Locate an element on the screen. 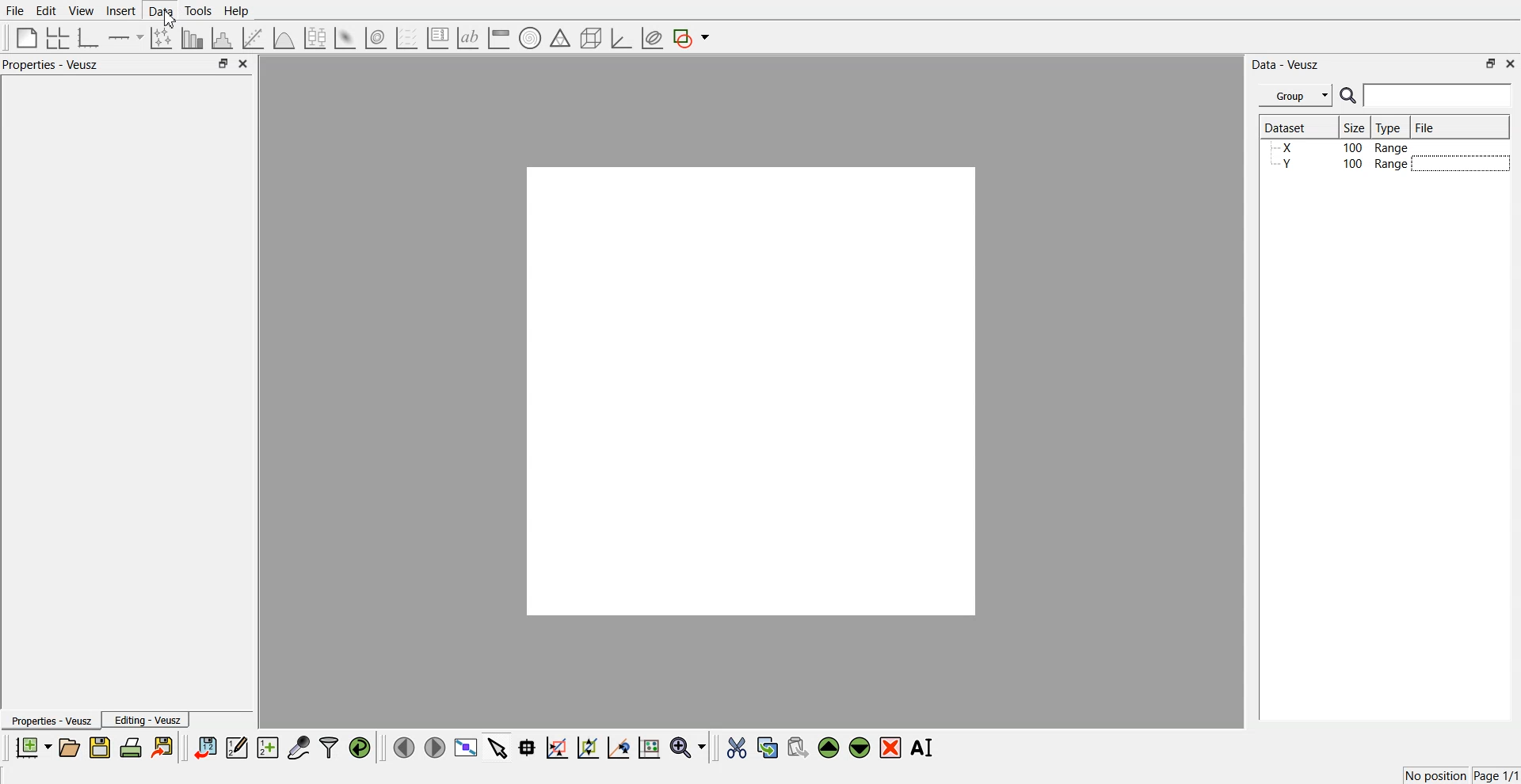 This screenshot has height=784, width=1521. Polar Graph is located at coordinates (530, 38).